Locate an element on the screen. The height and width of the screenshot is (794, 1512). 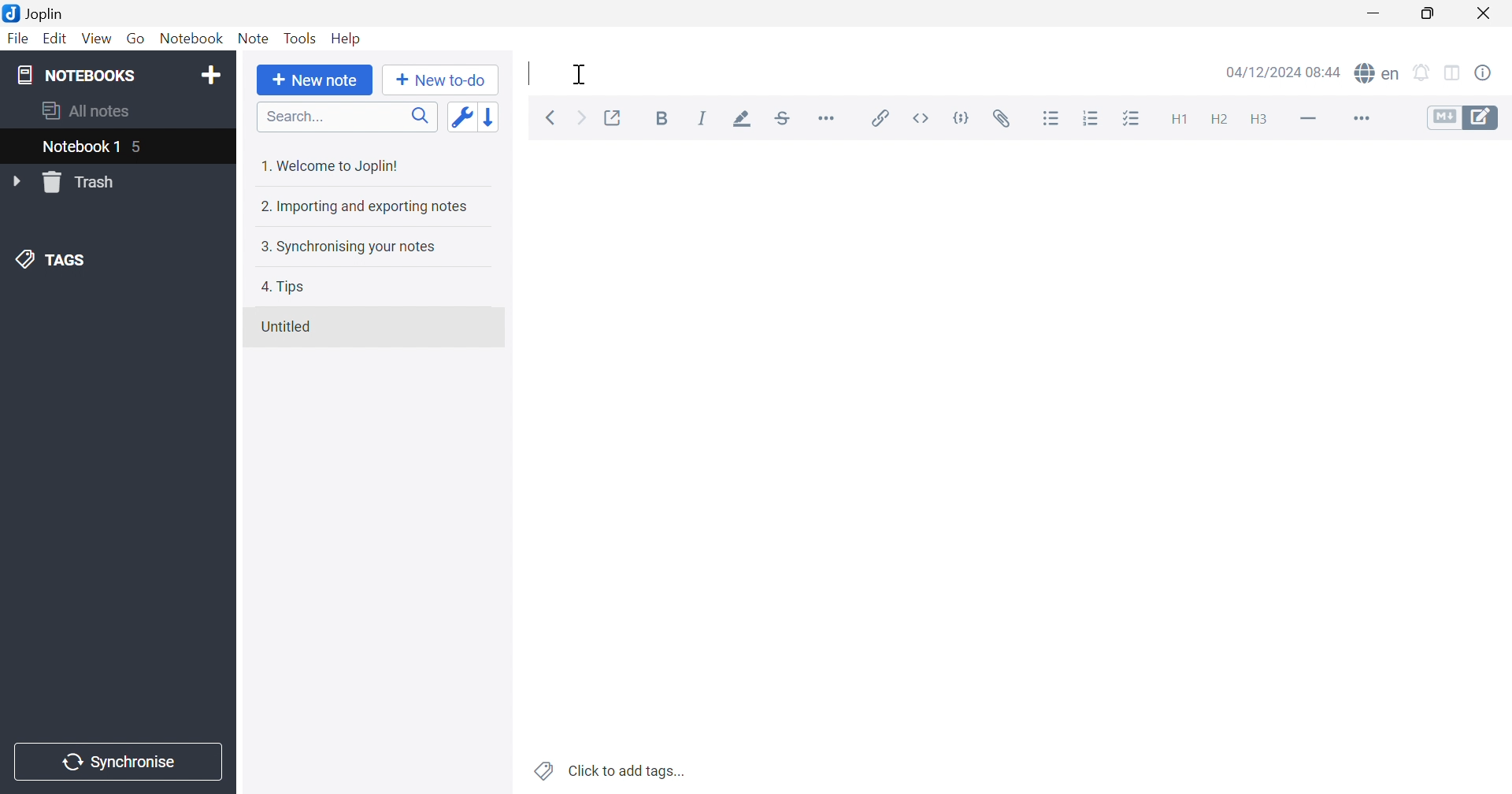
Help is located at coordinates (344, 38).